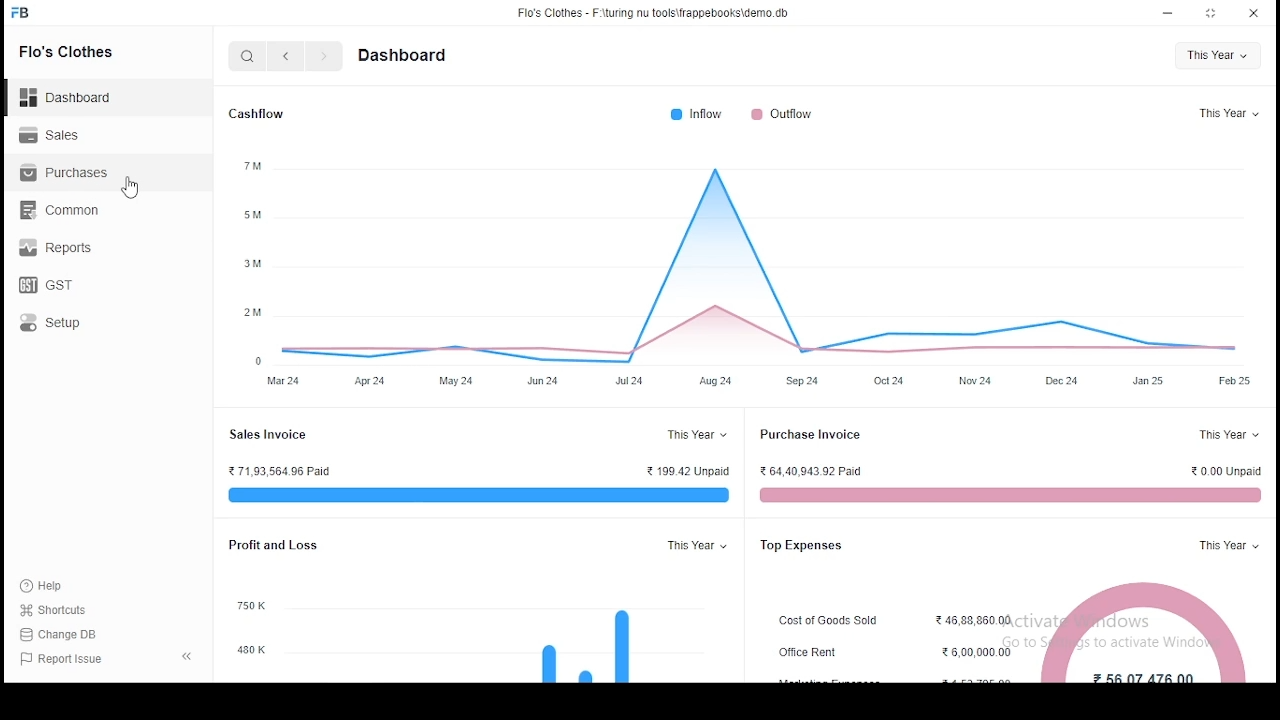  What do you see at coordinates (75, 91) in the screenshot?
I see `dashboard` at bounding box center [75, 91].